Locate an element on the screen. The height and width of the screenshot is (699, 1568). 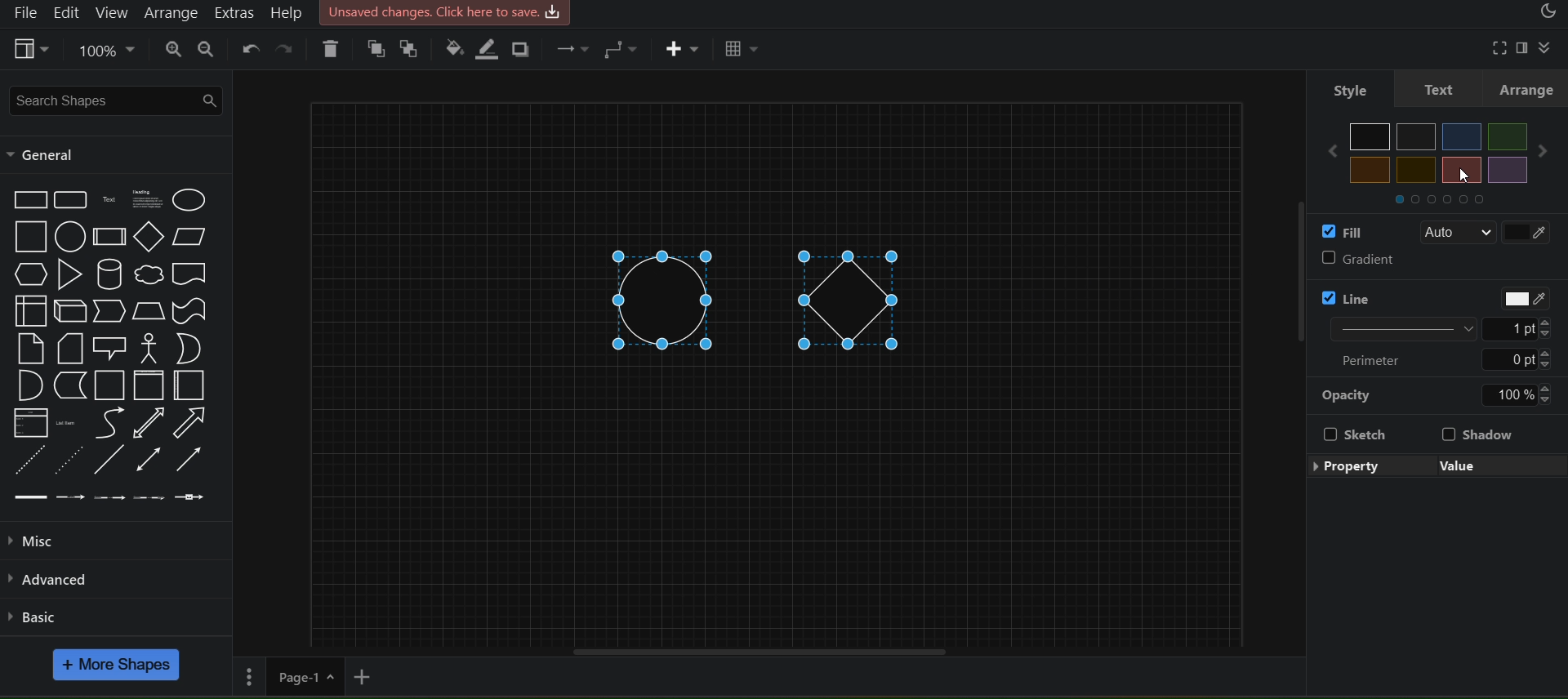
fill color is located at coordinates (452, 50).